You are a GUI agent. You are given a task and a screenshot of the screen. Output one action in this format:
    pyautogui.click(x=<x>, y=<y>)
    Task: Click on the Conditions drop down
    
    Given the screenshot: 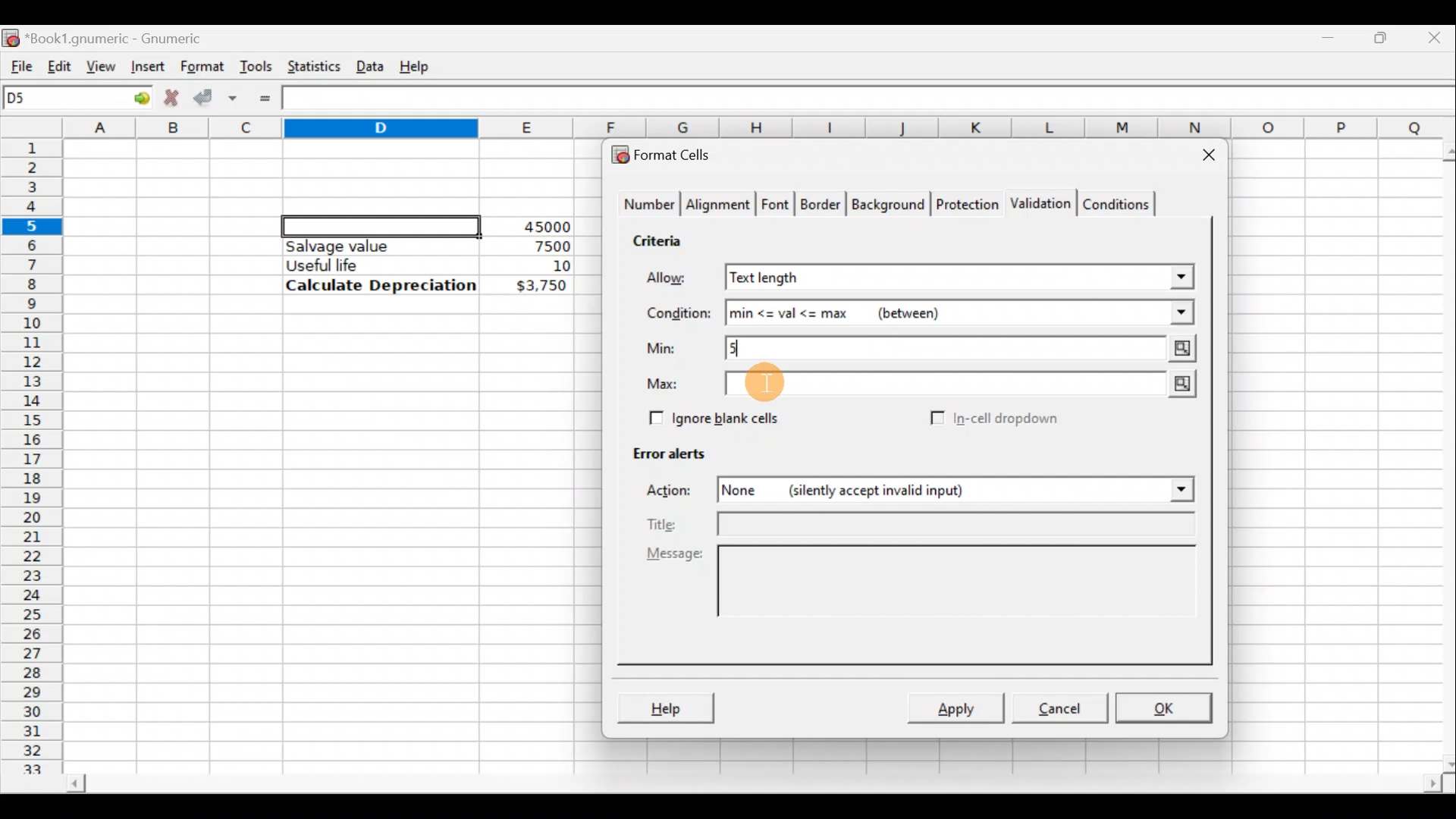 What is the action you would take?
    pyautogui.click(x=1166, y=312)
    